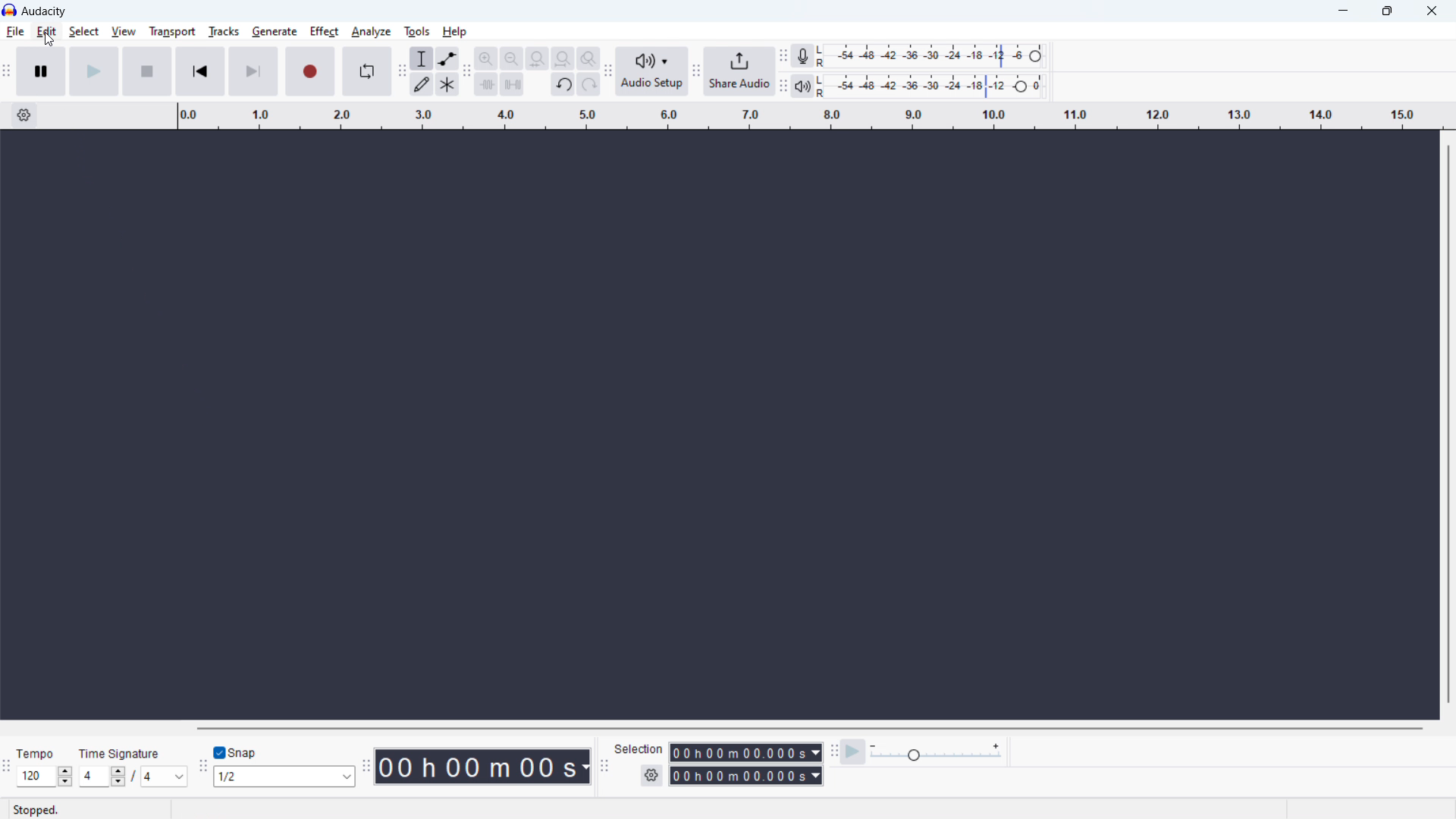 The height and width of the screenshot is (819, 1456). Describe the element at coordinates (653, 71) in the screenshot. I see `audio setup` at that location.